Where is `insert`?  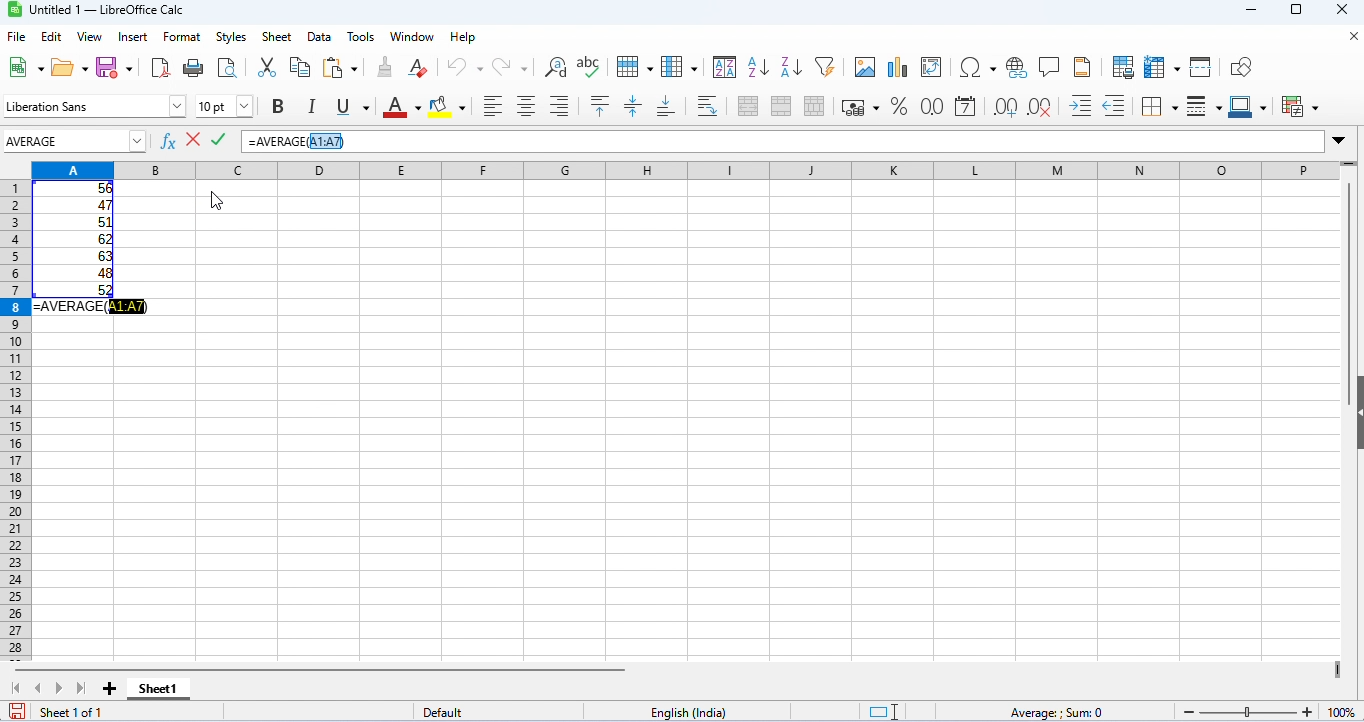
insert is located at coordinates (136, 36).